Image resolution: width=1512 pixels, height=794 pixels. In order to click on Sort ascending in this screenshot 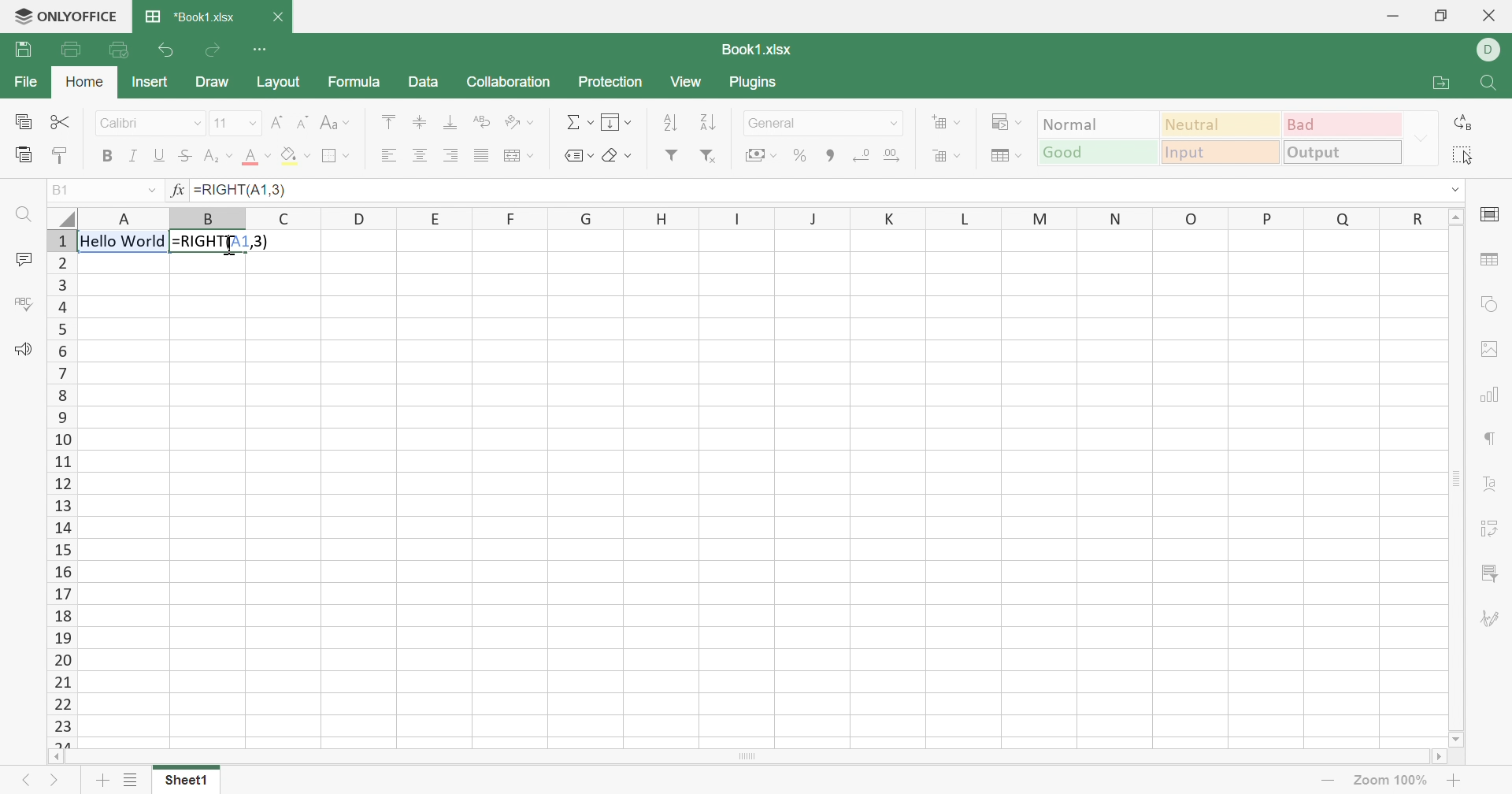, I will do `click(670, 121)`.